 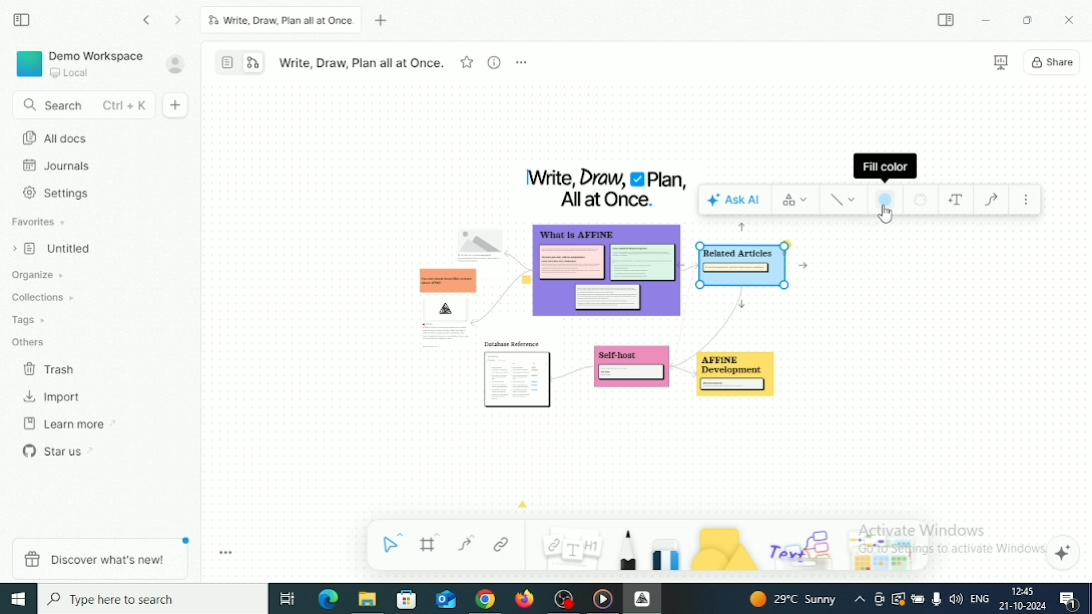 What do you see at coordinates (525, 600) in the screenshot?
I see `Firefox` at bounding box center [525, 600].